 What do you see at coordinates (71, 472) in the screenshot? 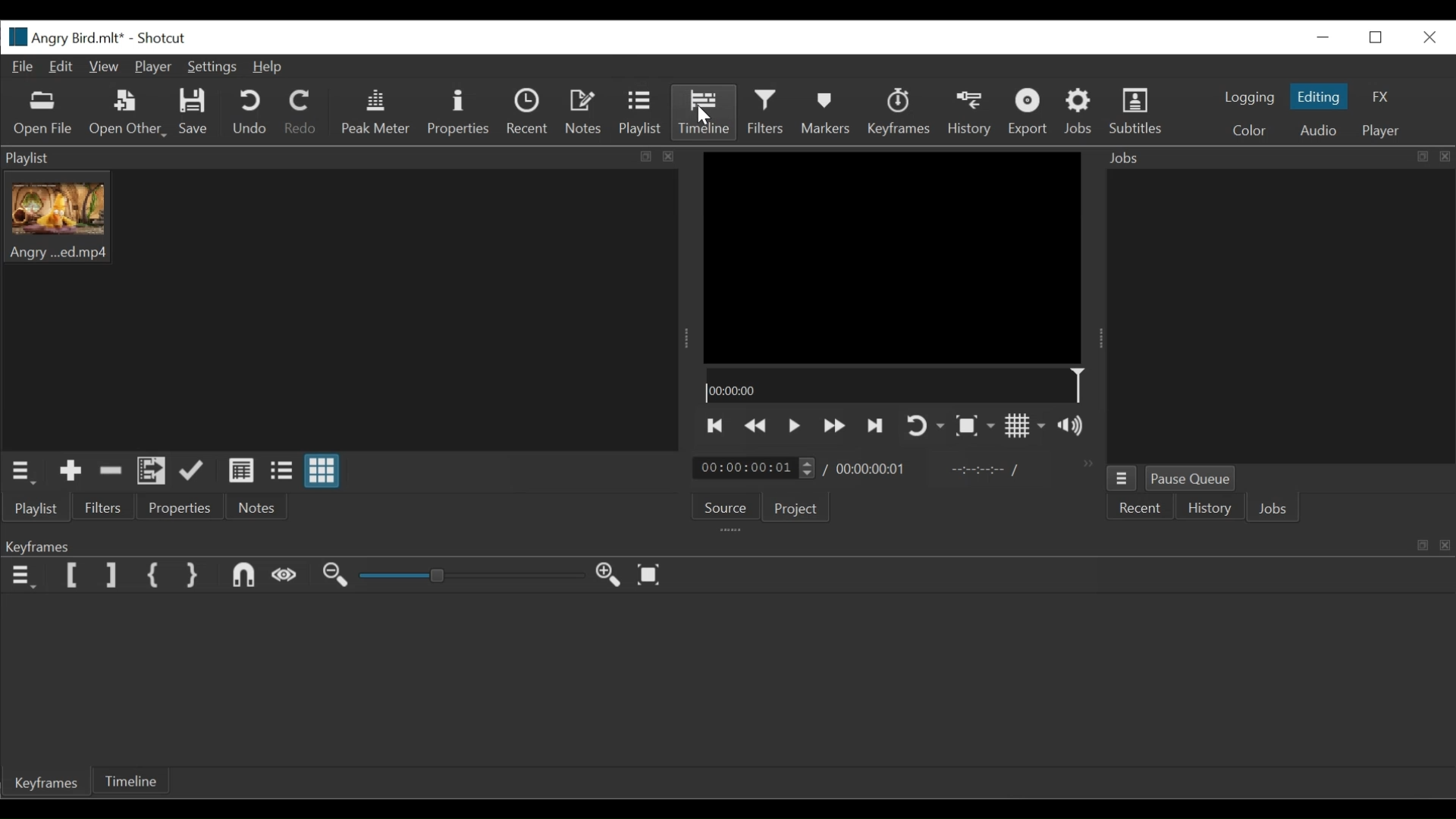
I see `Add the Source to the playlist` at bounding box center [71, 472].